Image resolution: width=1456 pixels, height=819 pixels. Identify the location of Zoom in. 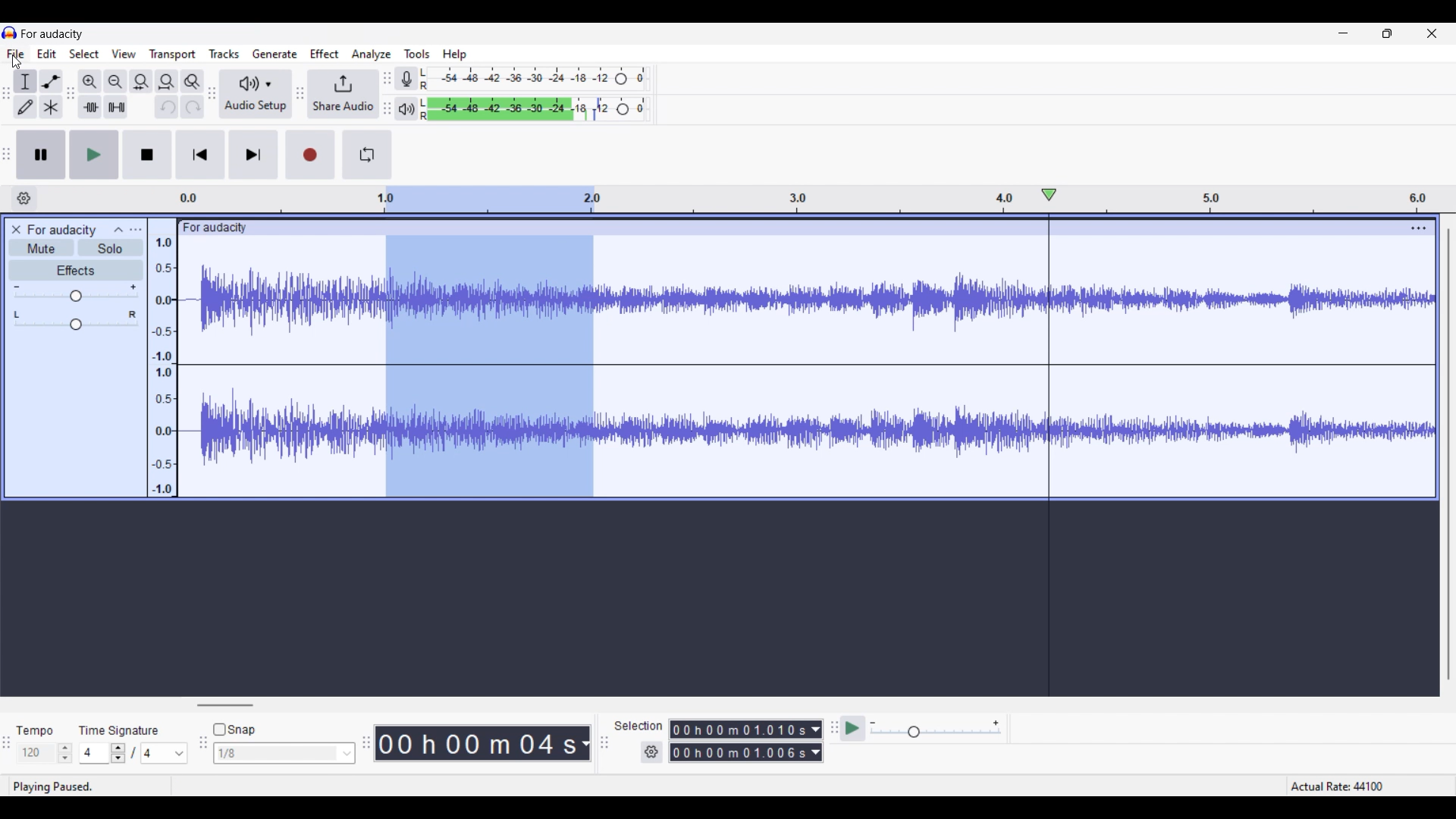
(90, 82).